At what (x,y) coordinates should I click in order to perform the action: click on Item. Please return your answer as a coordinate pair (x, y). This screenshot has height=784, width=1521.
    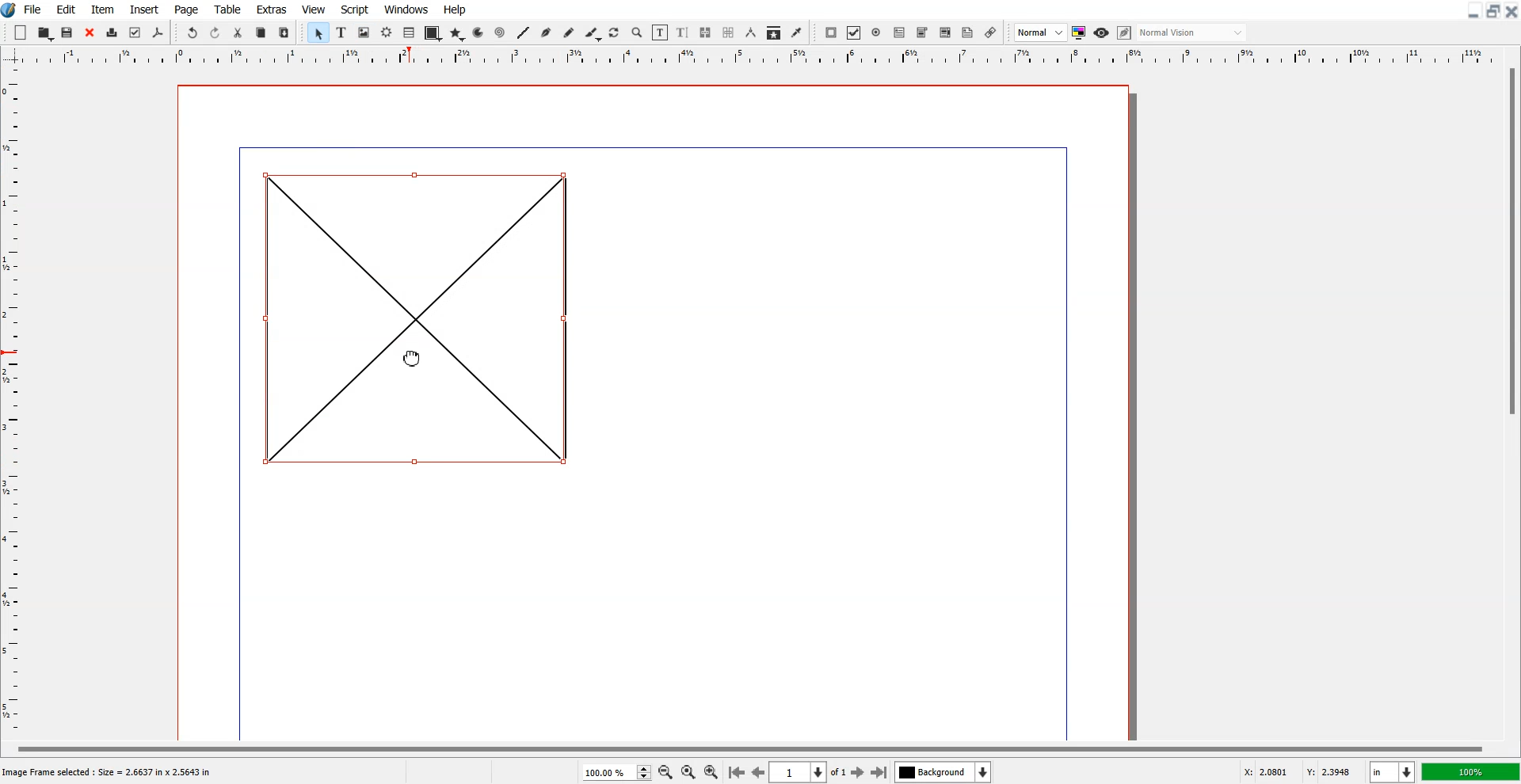
    Looking at the image, I should click on (102, 9).